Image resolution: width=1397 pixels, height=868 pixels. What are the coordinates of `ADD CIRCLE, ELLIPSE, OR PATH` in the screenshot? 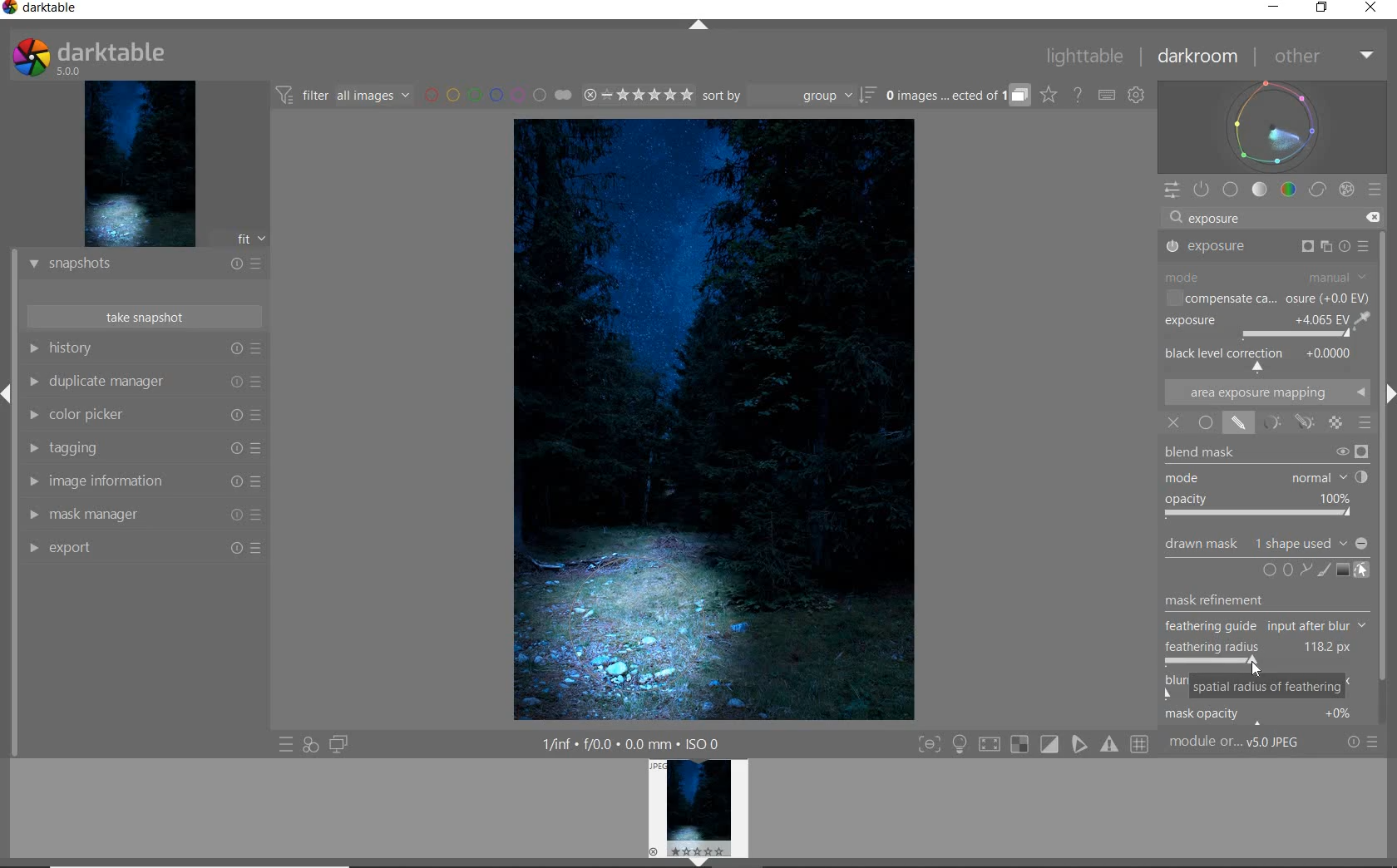 It's located at (1299, 570).